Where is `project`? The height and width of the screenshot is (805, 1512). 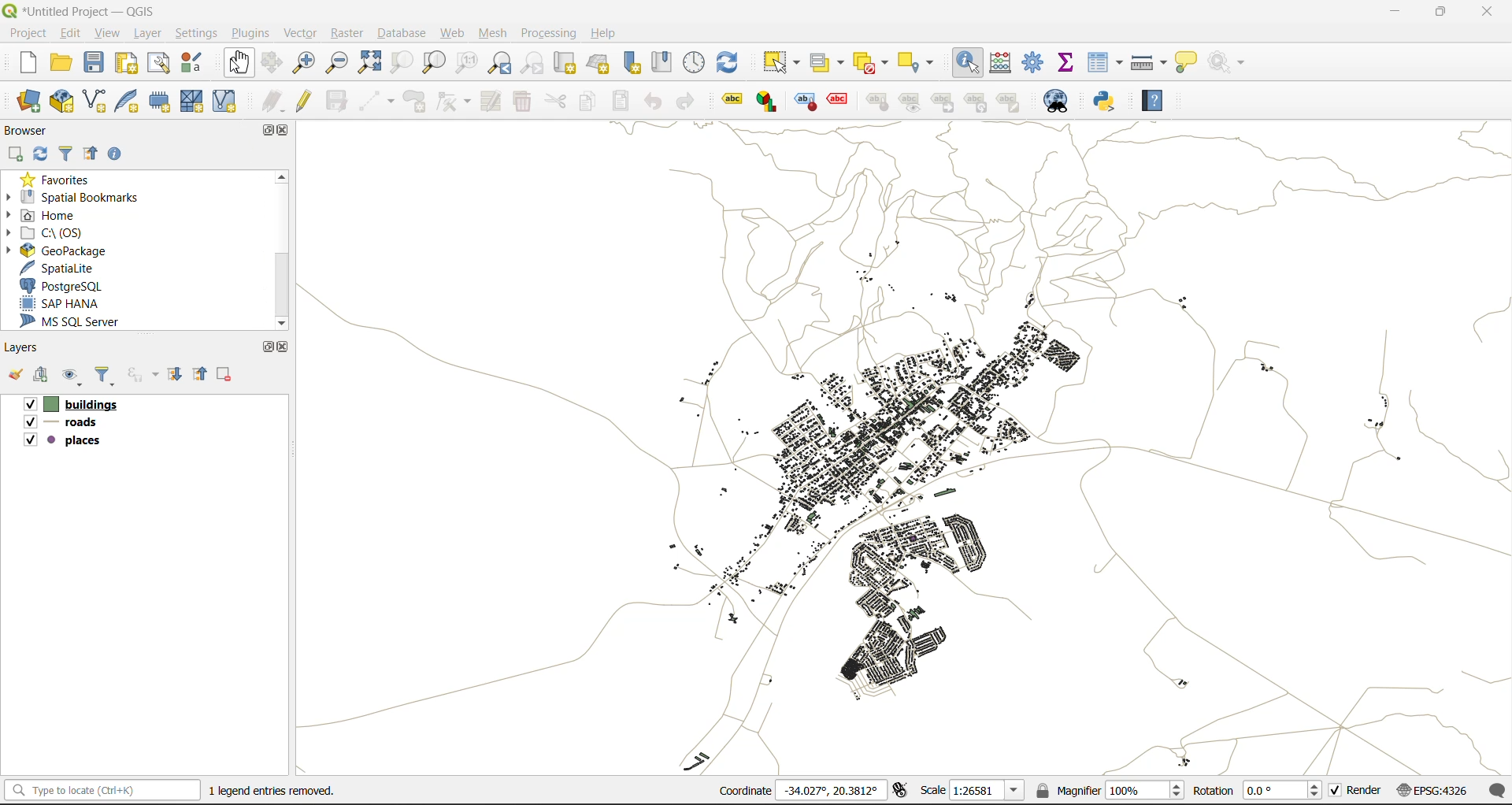
project is located at coordinates (32, 35).